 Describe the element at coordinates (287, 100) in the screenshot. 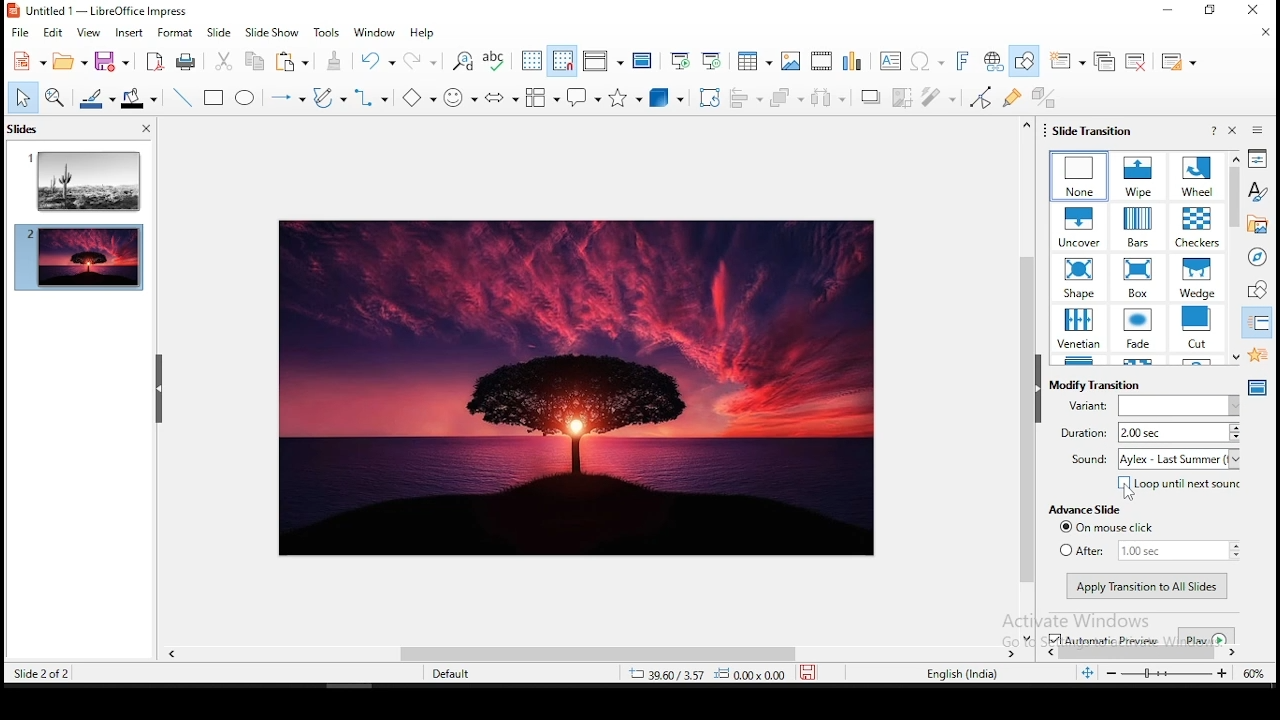

I see `lines and arrows` at that location.